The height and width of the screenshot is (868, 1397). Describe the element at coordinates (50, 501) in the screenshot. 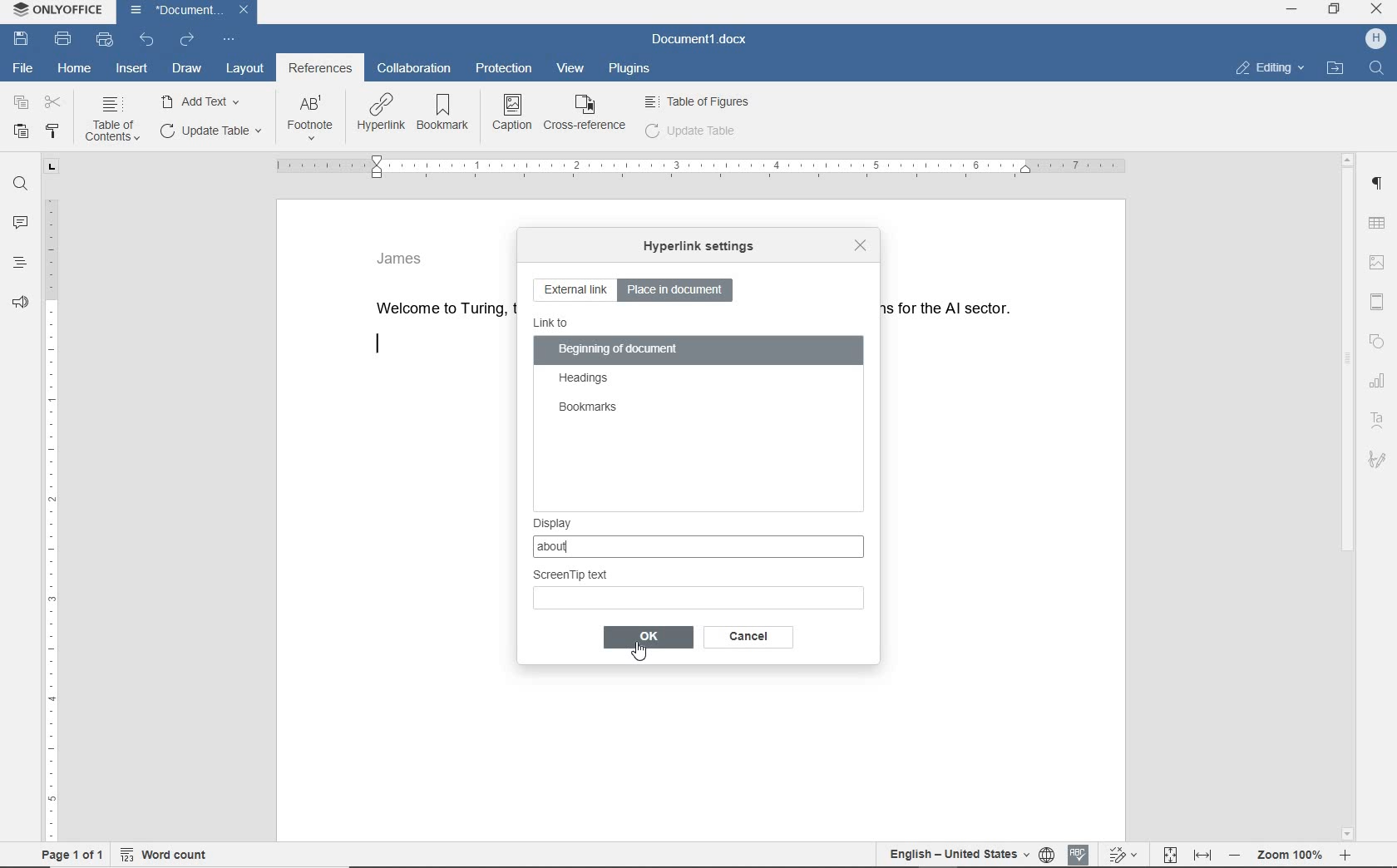

I see `ruler` at that location.